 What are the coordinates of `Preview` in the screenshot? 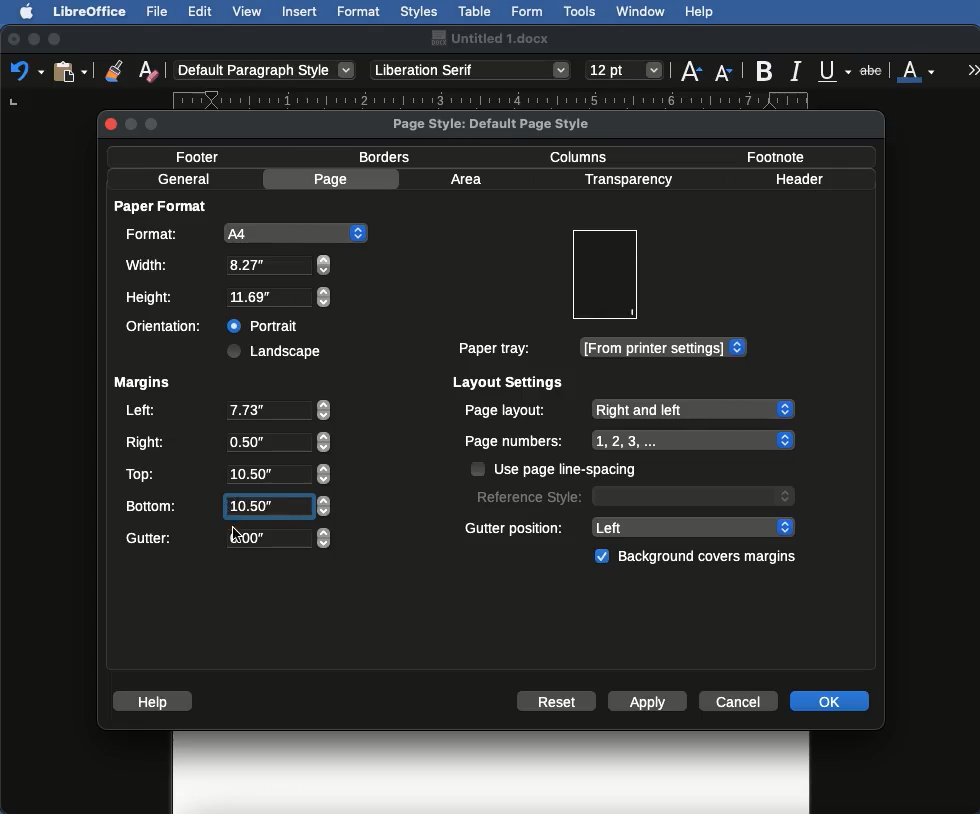 It's located at (604, 275).